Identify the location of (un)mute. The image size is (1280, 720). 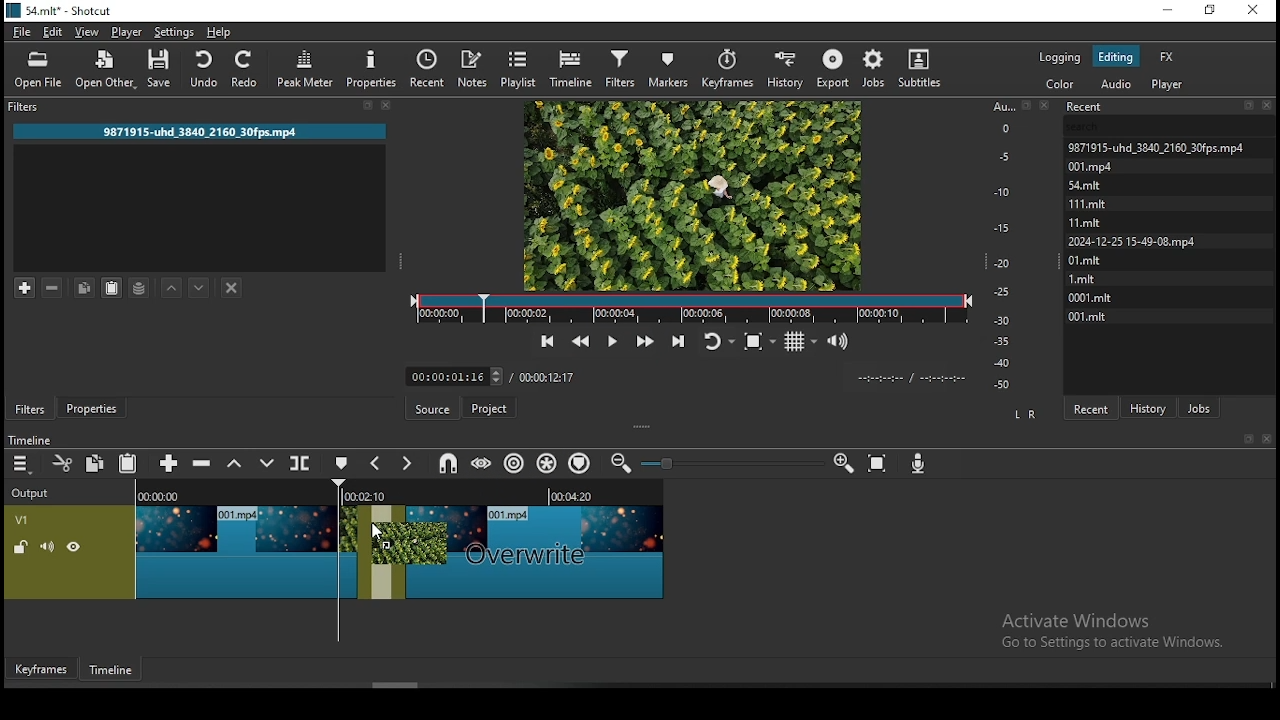
(47, 546).